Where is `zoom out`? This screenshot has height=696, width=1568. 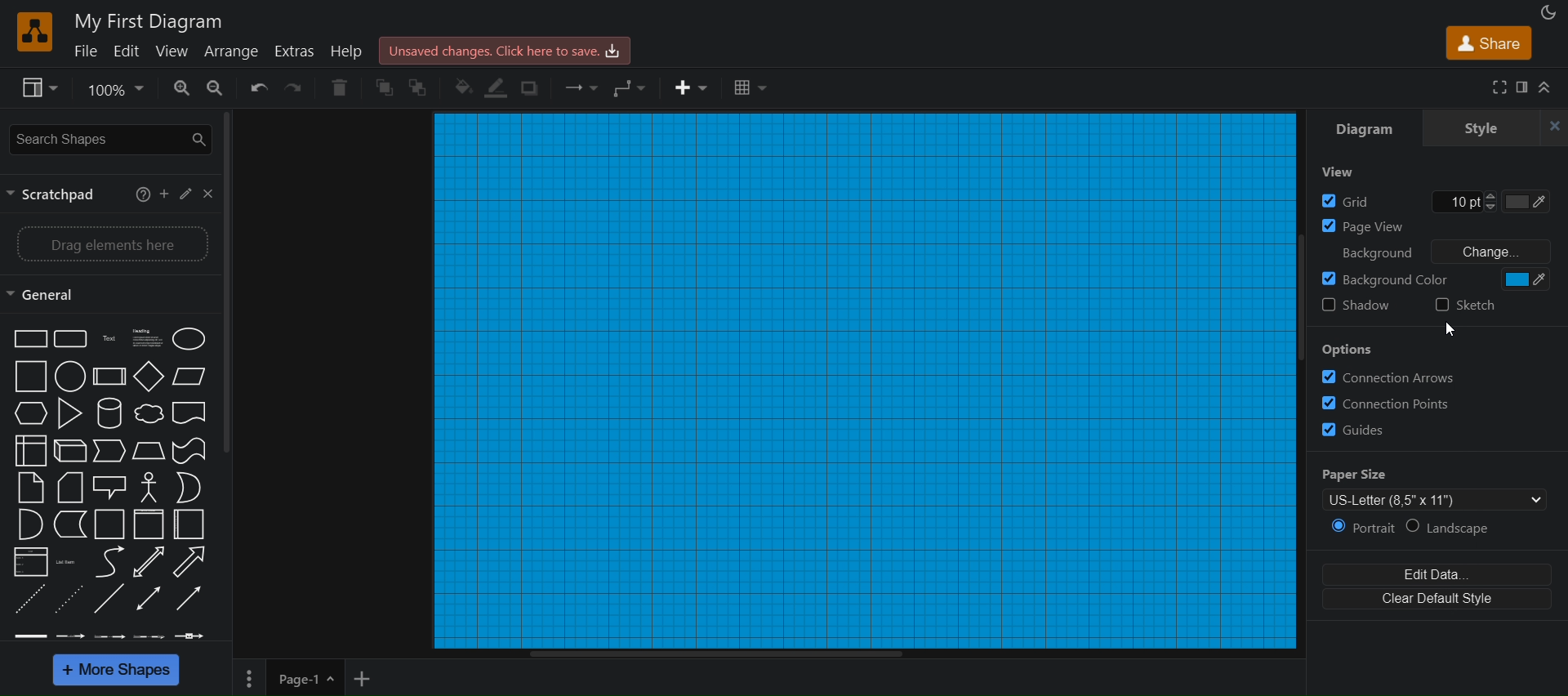
zoom out is located at coordinates (214, 90).